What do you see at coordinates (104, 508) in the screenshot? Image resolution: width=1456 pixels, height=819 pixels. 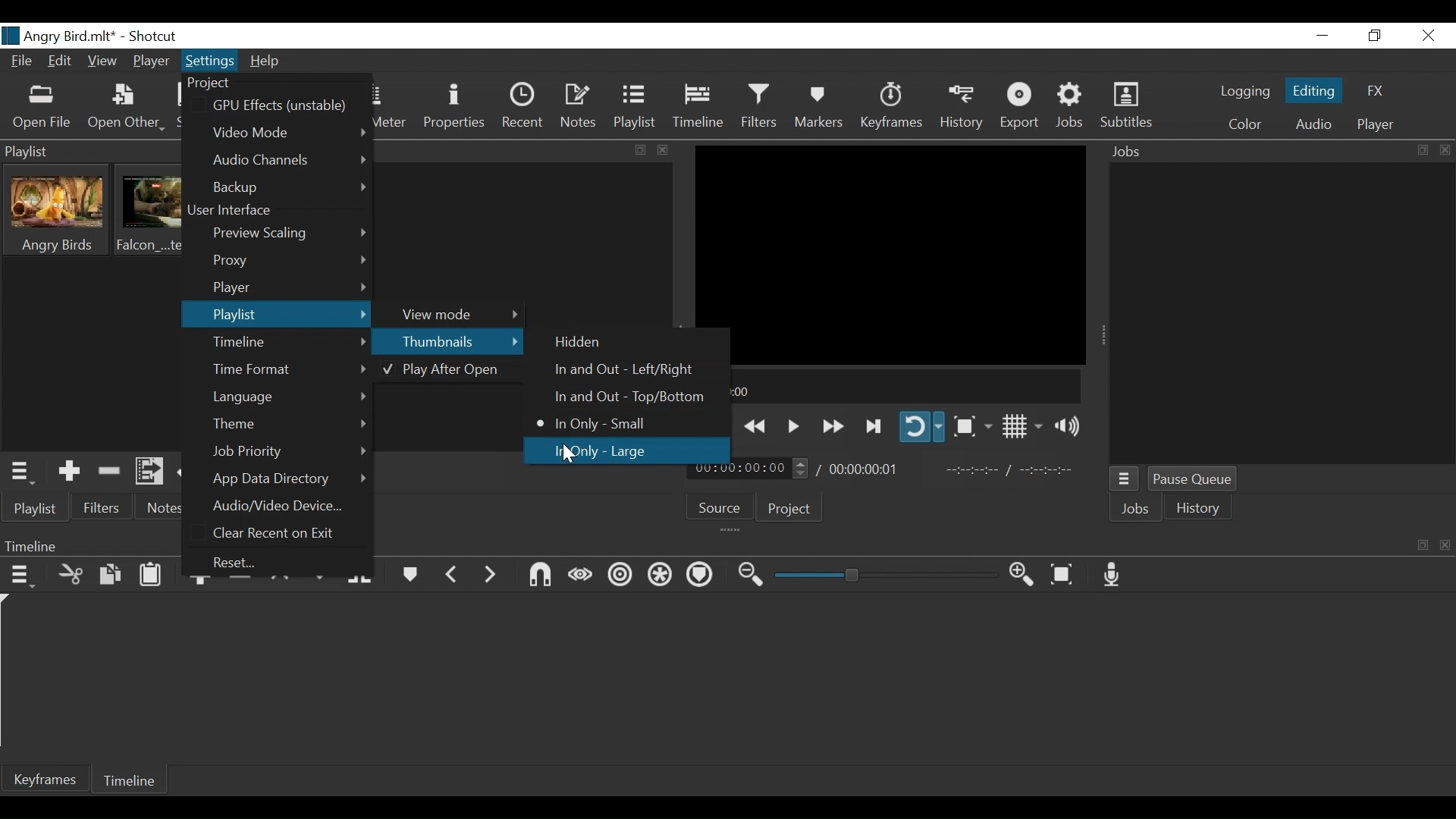 I see `Filters` at bounding box center [104, 508].